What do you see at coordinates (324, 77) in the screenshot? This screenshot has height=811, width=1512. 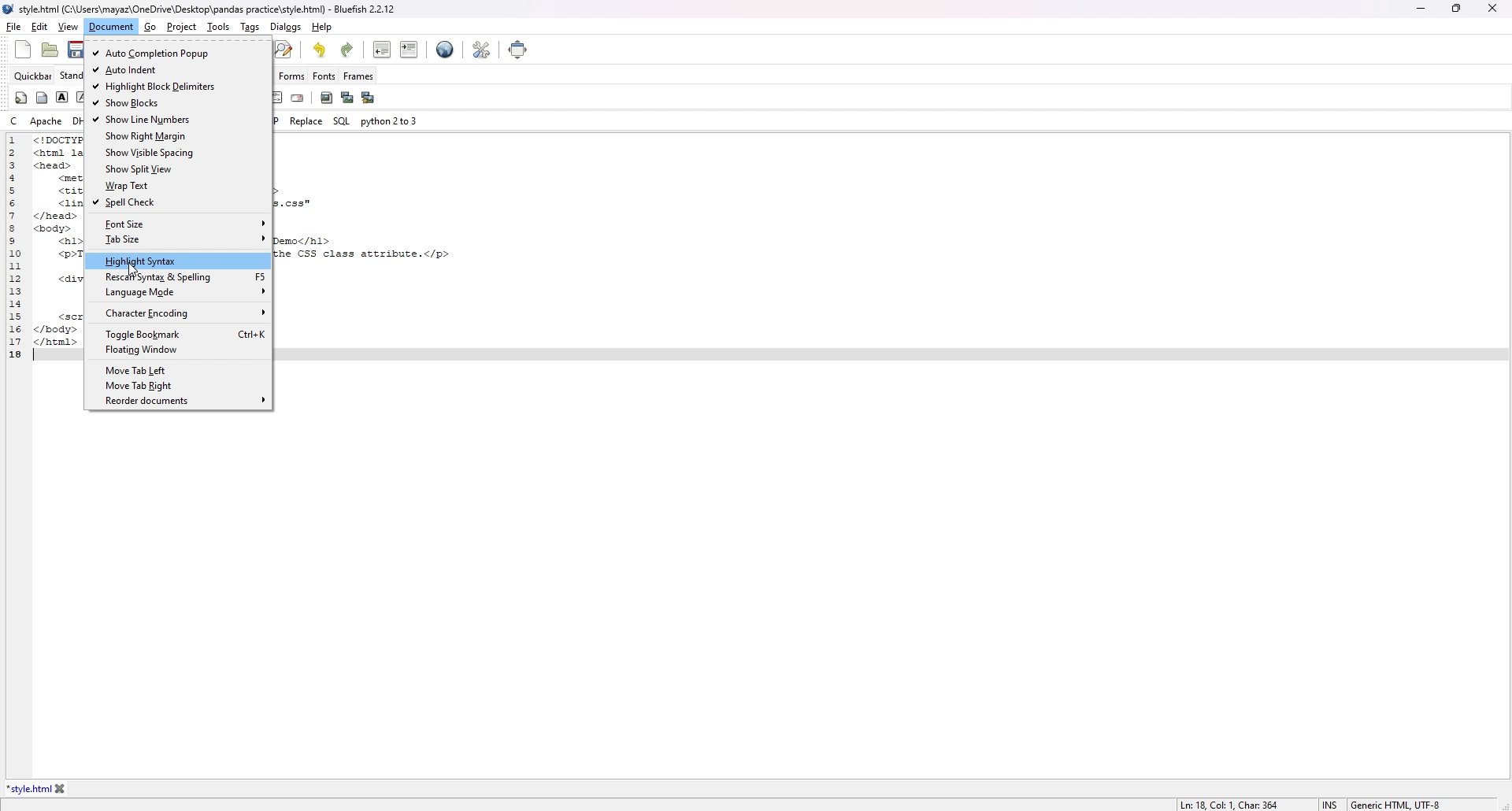 I see `fonts` at bounding box center [324, 77].